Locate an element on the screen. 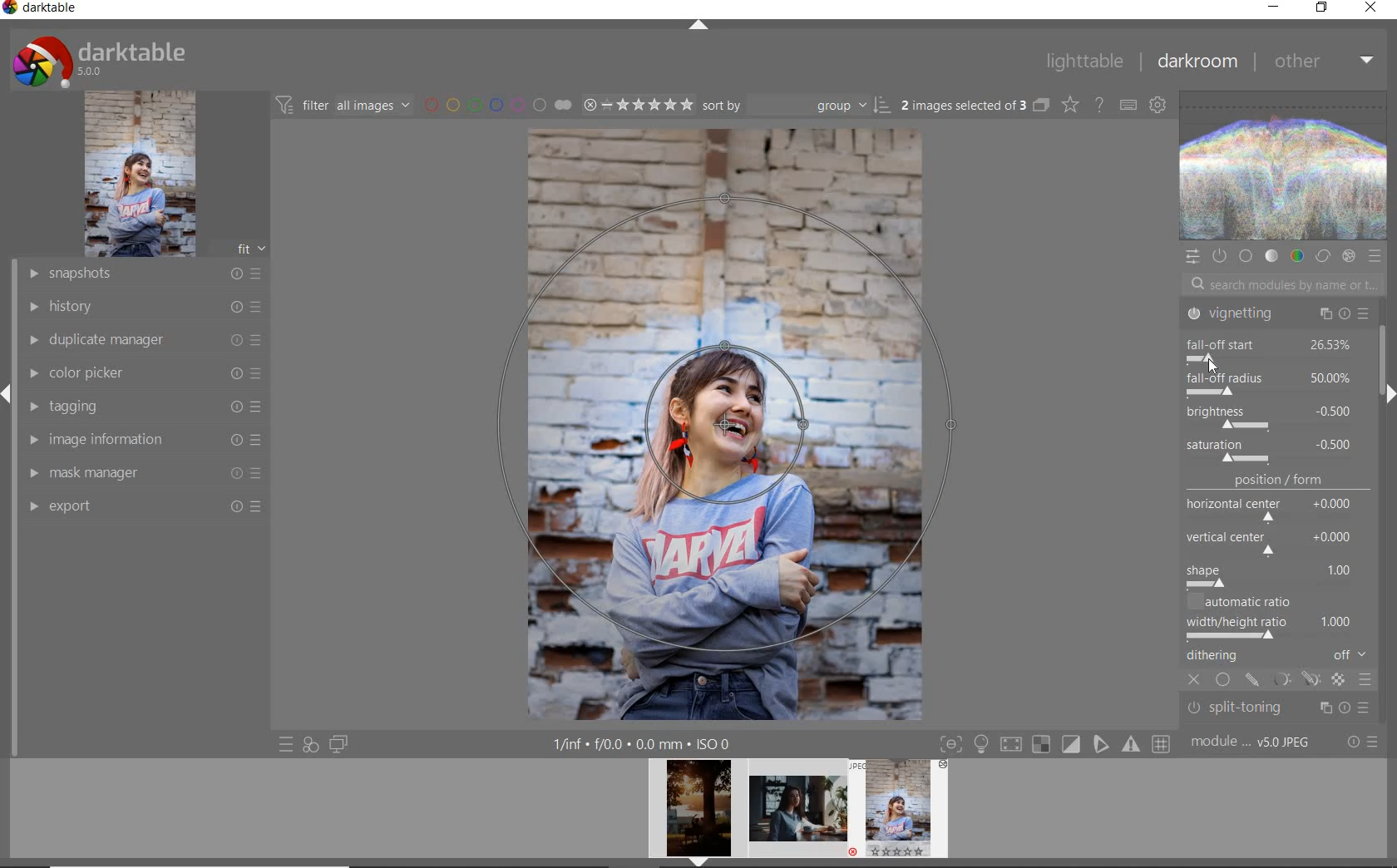  toggle modes is located at coordinates (1055, 742).